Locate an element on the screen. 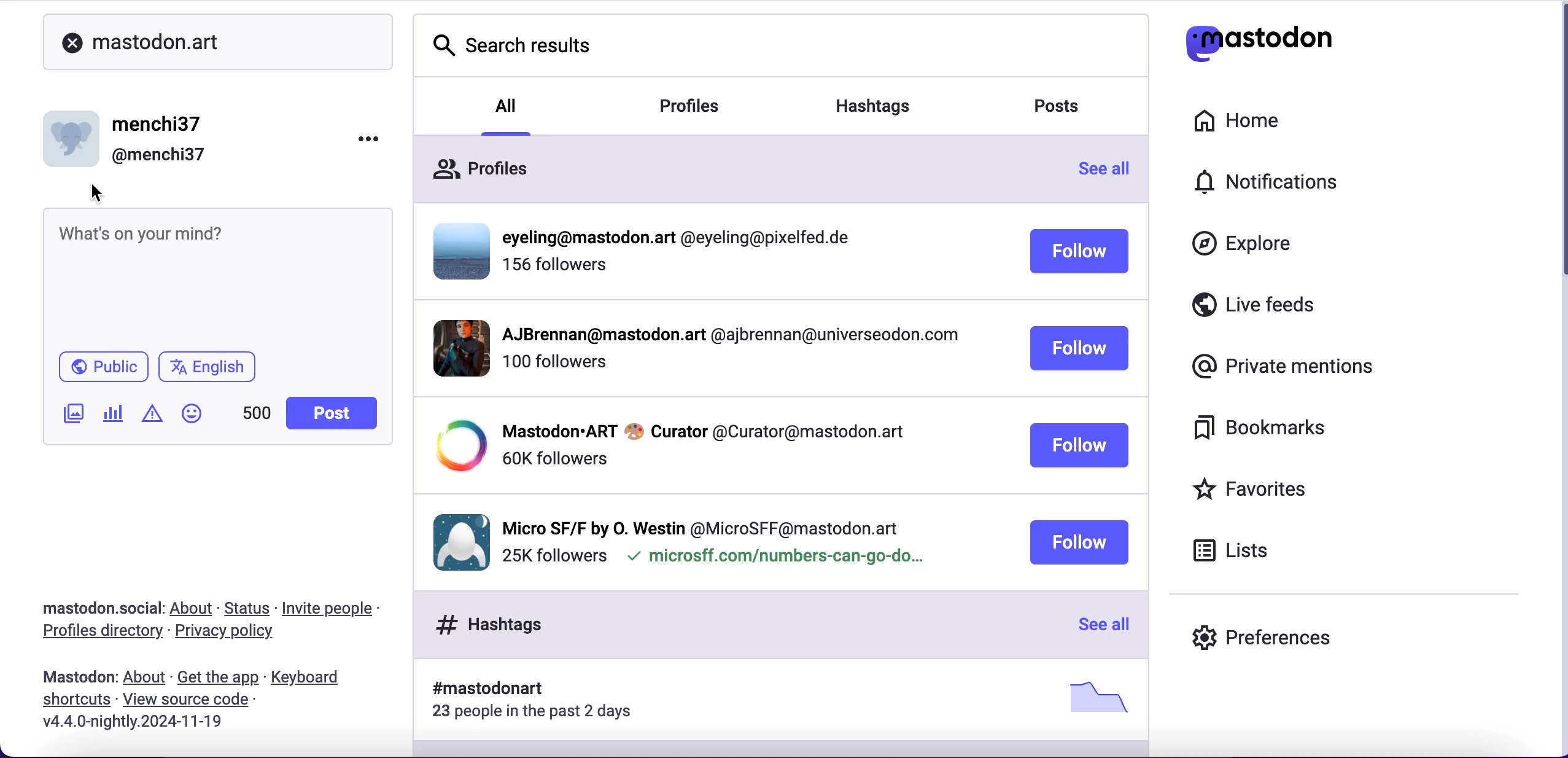 This screenshot has width=1568, height=758. add image is located at coordinates (72, 416).